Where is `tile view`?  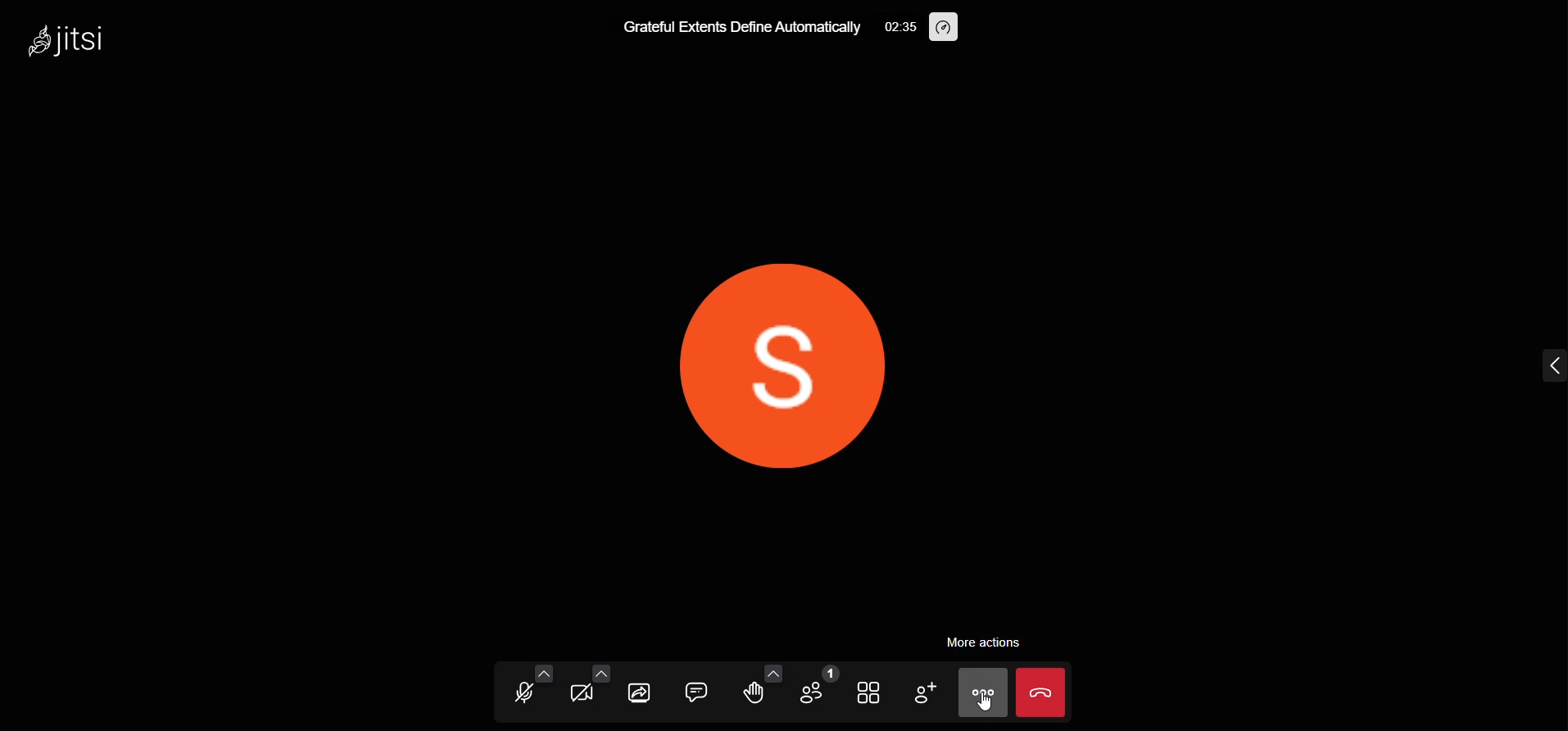
tile view is located at coordinates (866, 693).